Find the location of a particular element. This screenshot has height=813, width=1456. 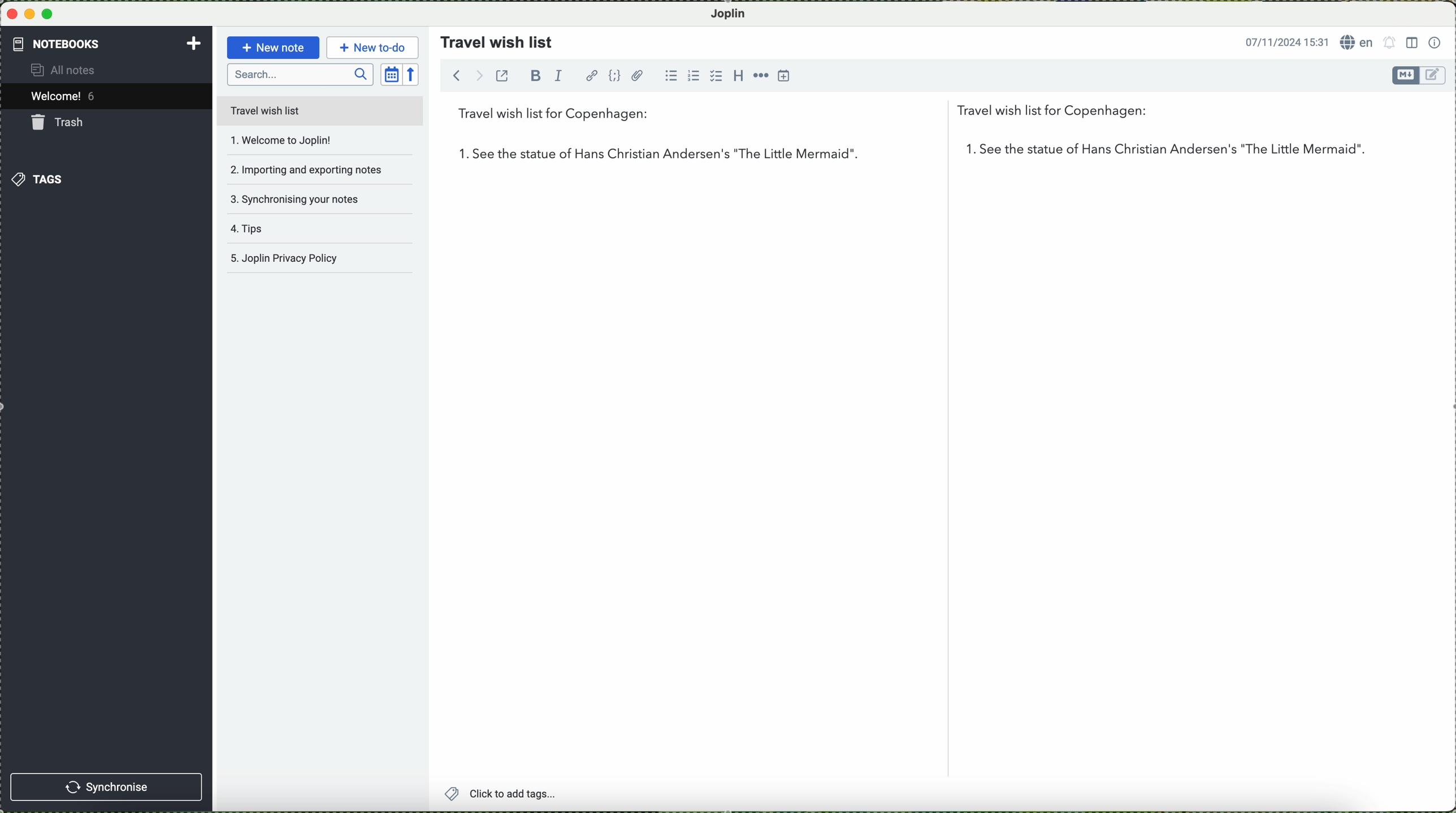

italic is located at coordinates (562, 77).